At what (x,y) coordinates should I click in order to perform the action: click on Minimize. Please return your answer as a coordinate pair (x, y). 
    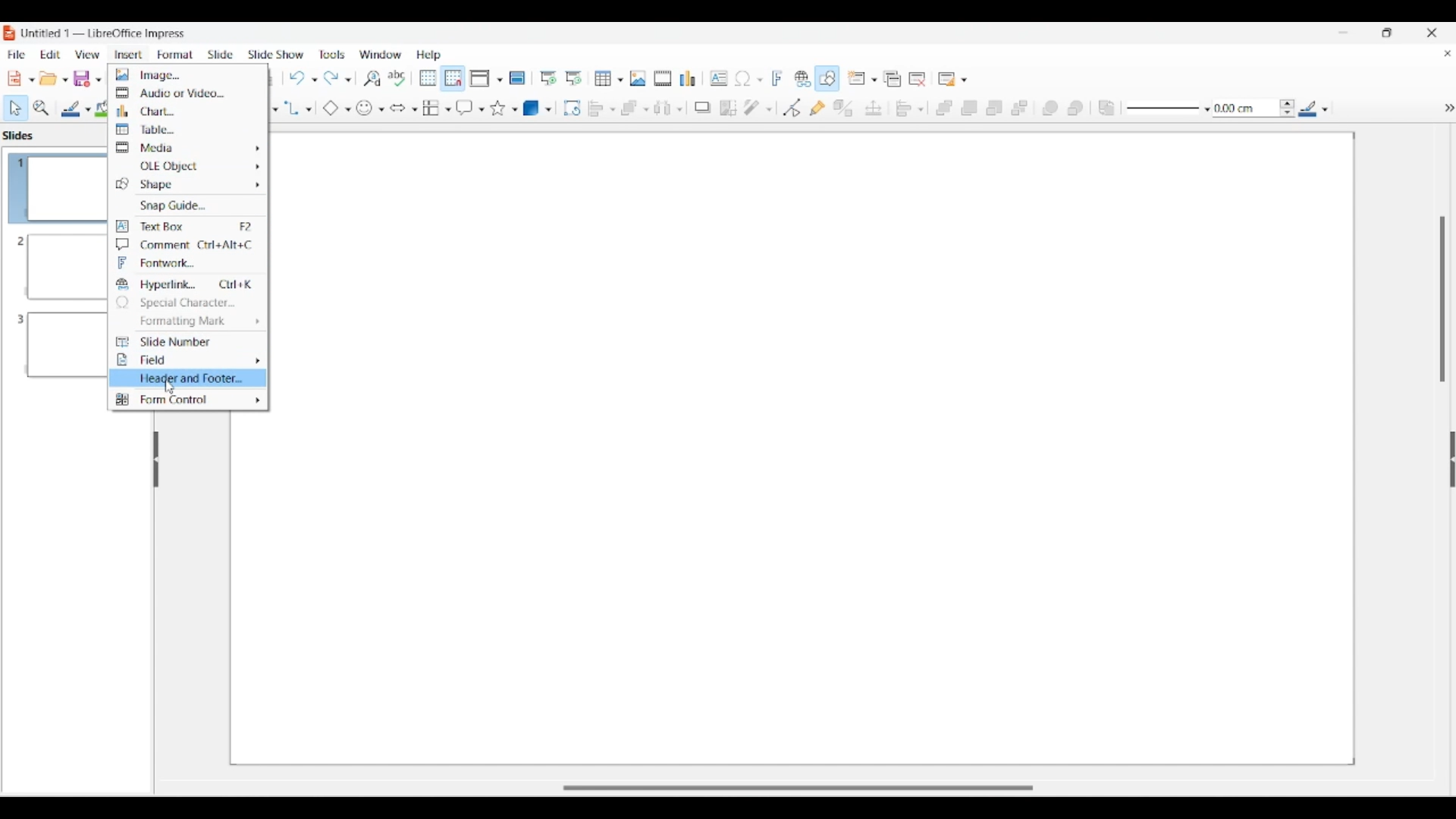
    Looking at the image, I should click on (1343, 32).